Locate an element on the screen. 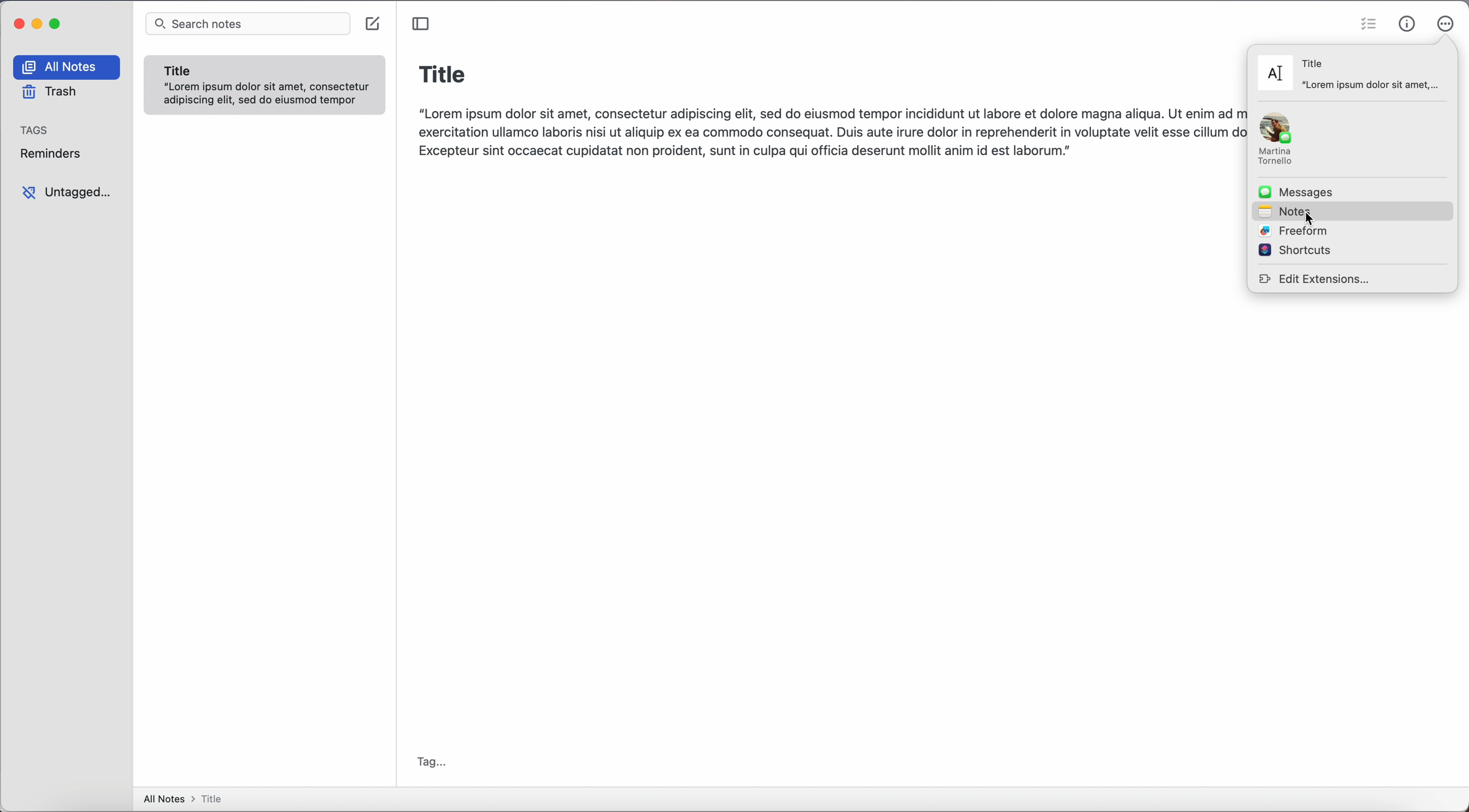  check list is located at coordinates (1369, 22).